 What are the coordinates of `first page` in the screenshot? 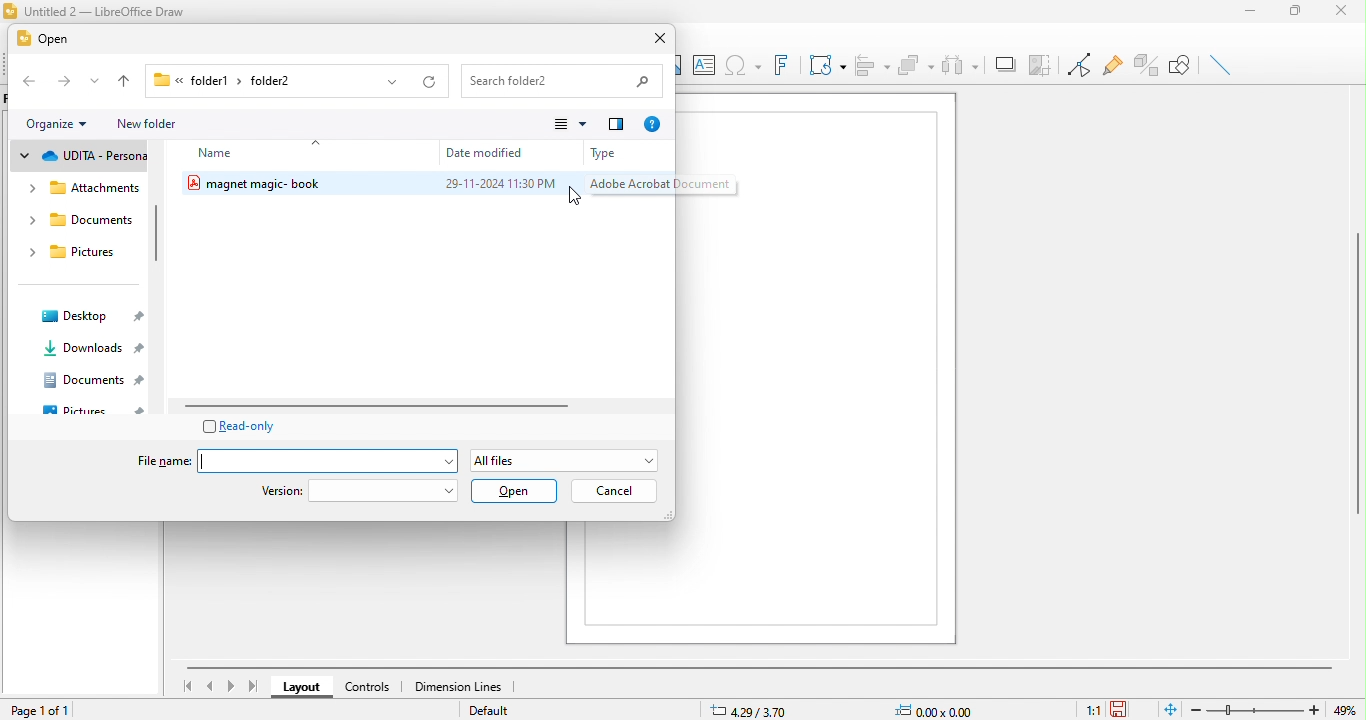 It's located at (186, 685).